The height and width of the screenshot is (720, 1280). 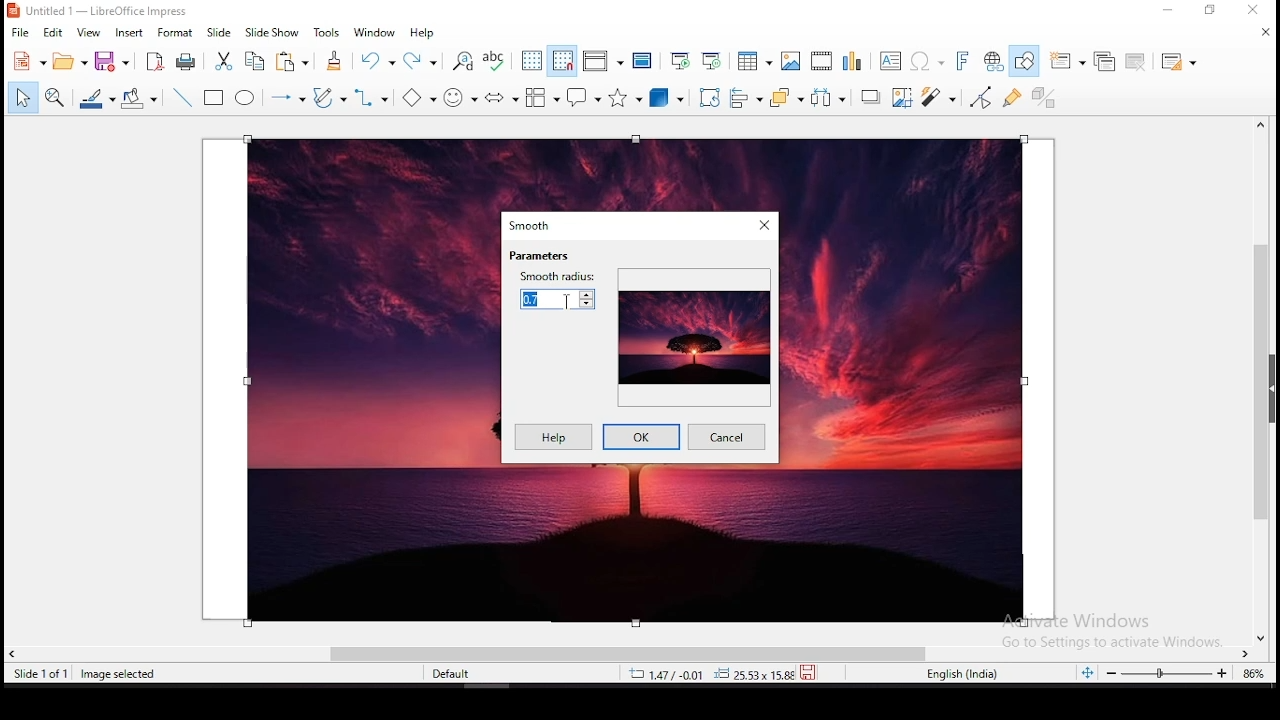 What do you see at coordinates (289, 61) in the screenshot?
I see `copy` at bounding box center [289, 61].